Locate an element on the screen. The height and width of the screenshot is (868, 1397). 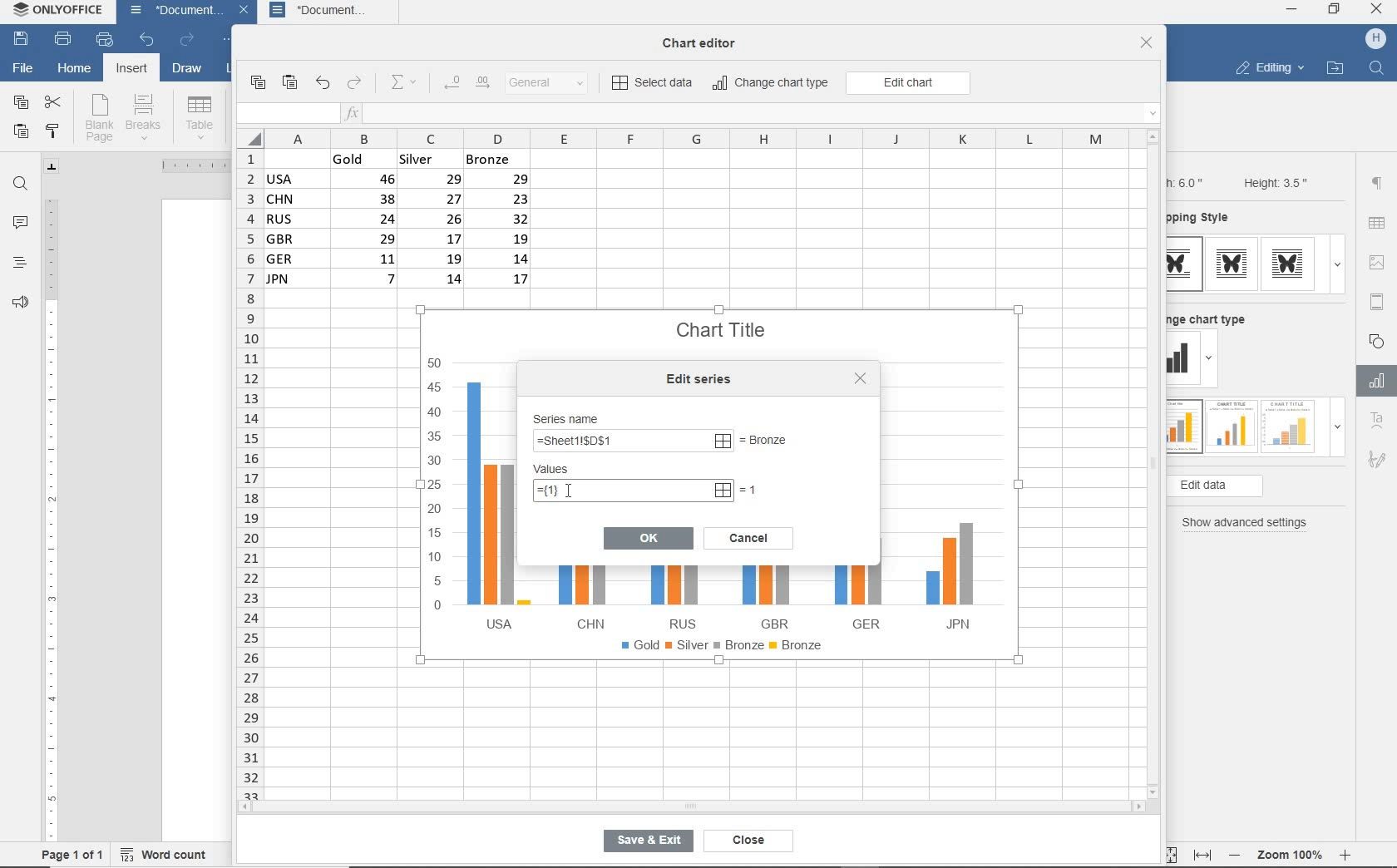
wrapping style is located at coordinates (1205, 219).